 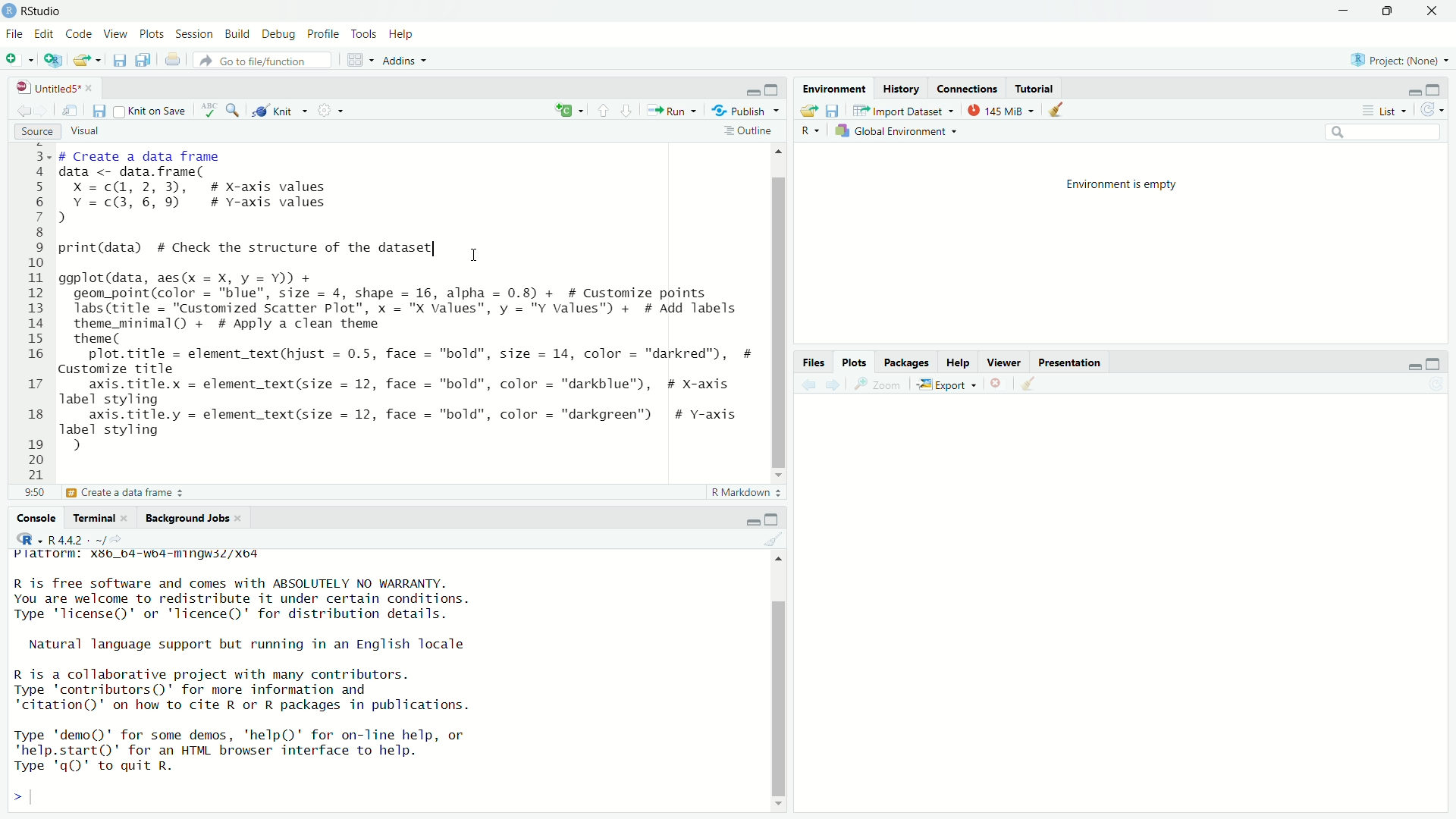 I want to click on Create a data frame, so click(x=130, y=494).